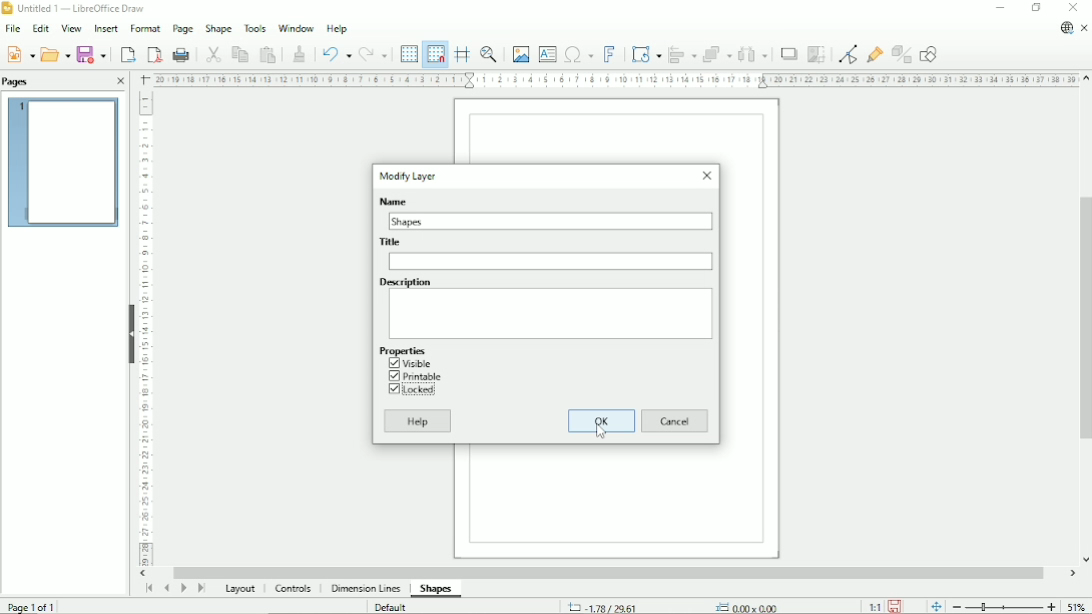  I want to click on Pages, so click(19, 82).